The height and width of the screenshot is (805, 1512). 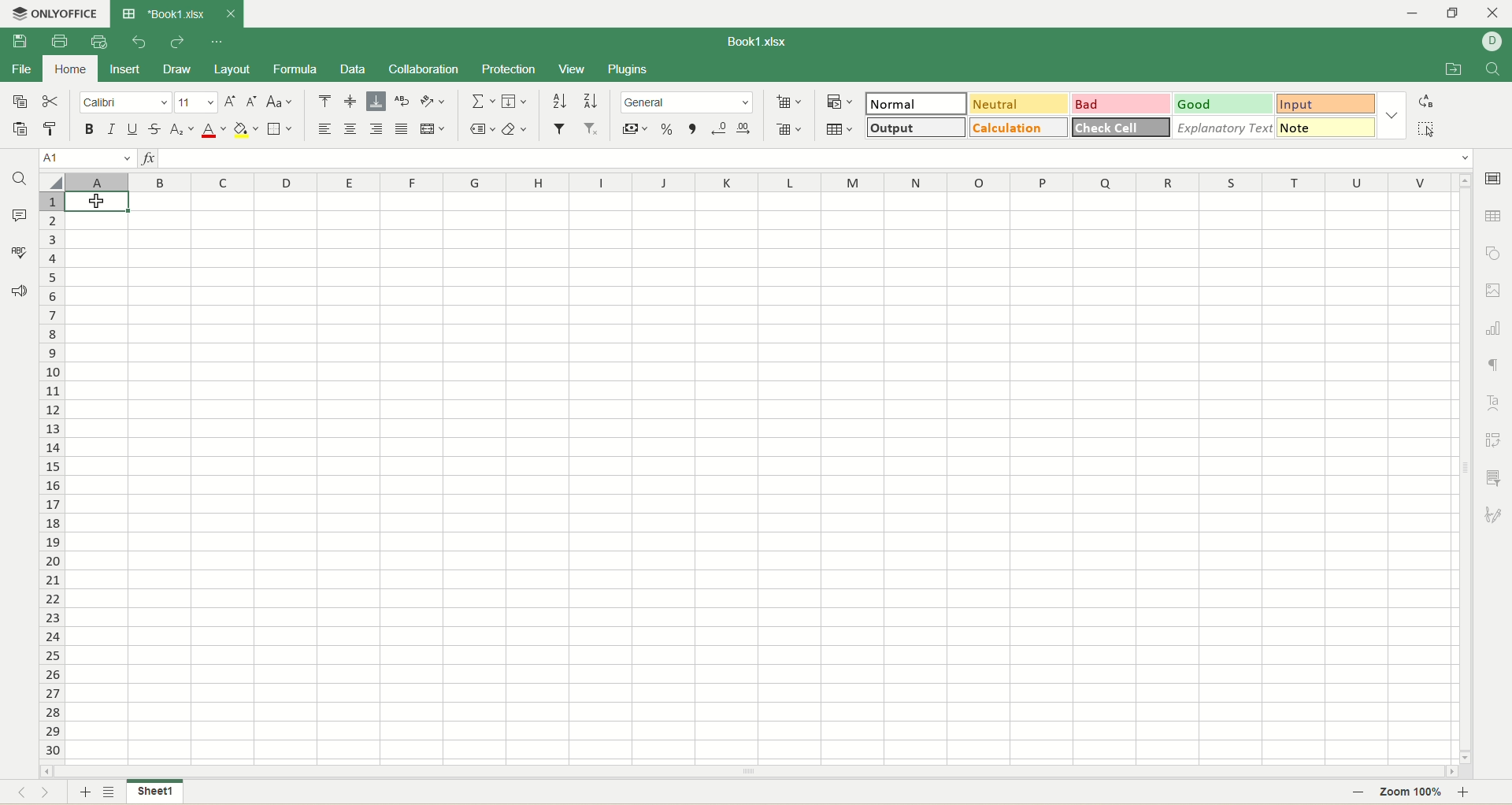 What do you see at coordinates (401, 101) in the screenshot?
I see `wrap text` at bounding box center [401, 101].